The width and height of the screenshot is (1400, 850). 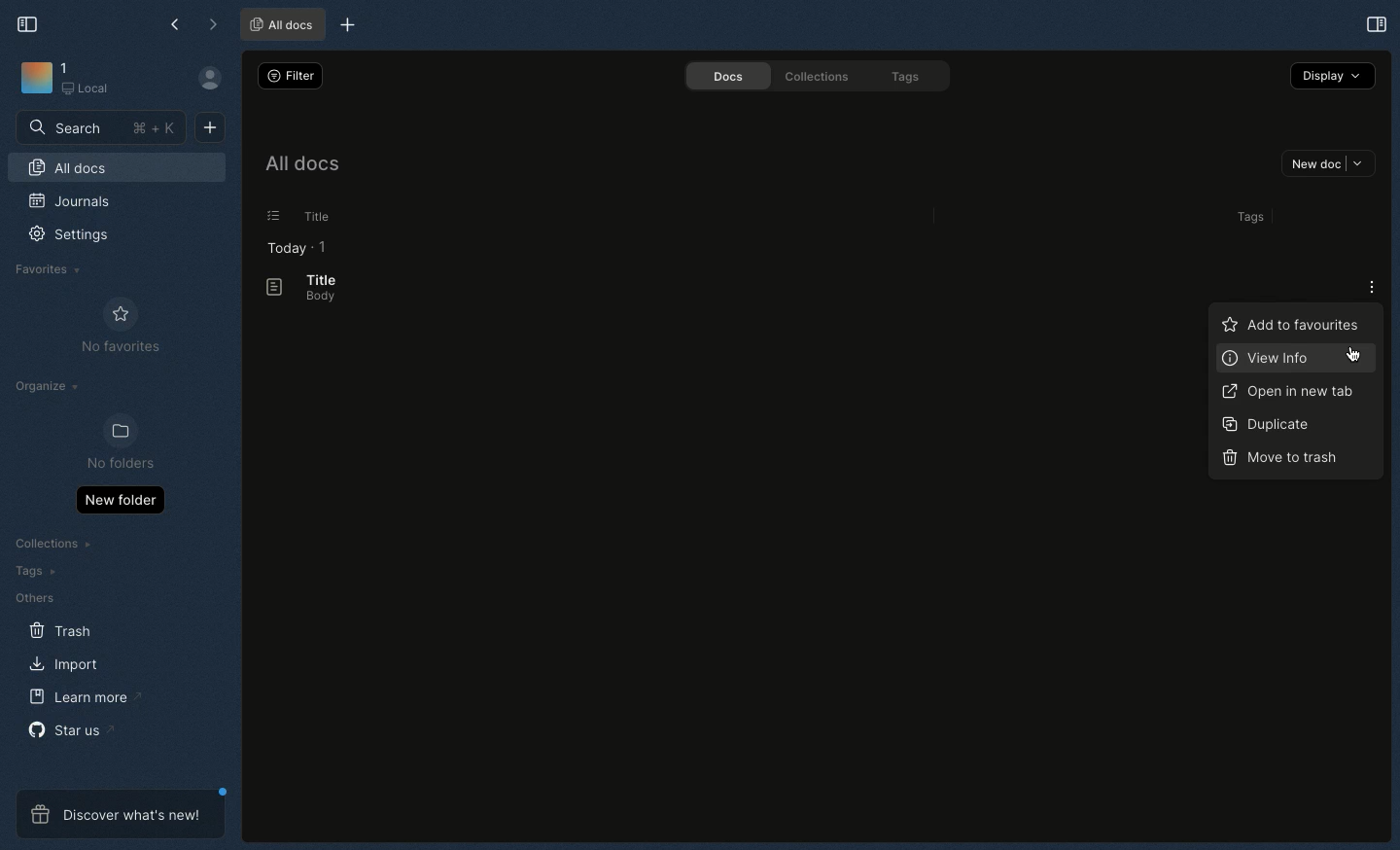 What do you see at coordinates (1281, 455) in the screenshot?
I see `Move to trash` at bounding box center [1281, 455].